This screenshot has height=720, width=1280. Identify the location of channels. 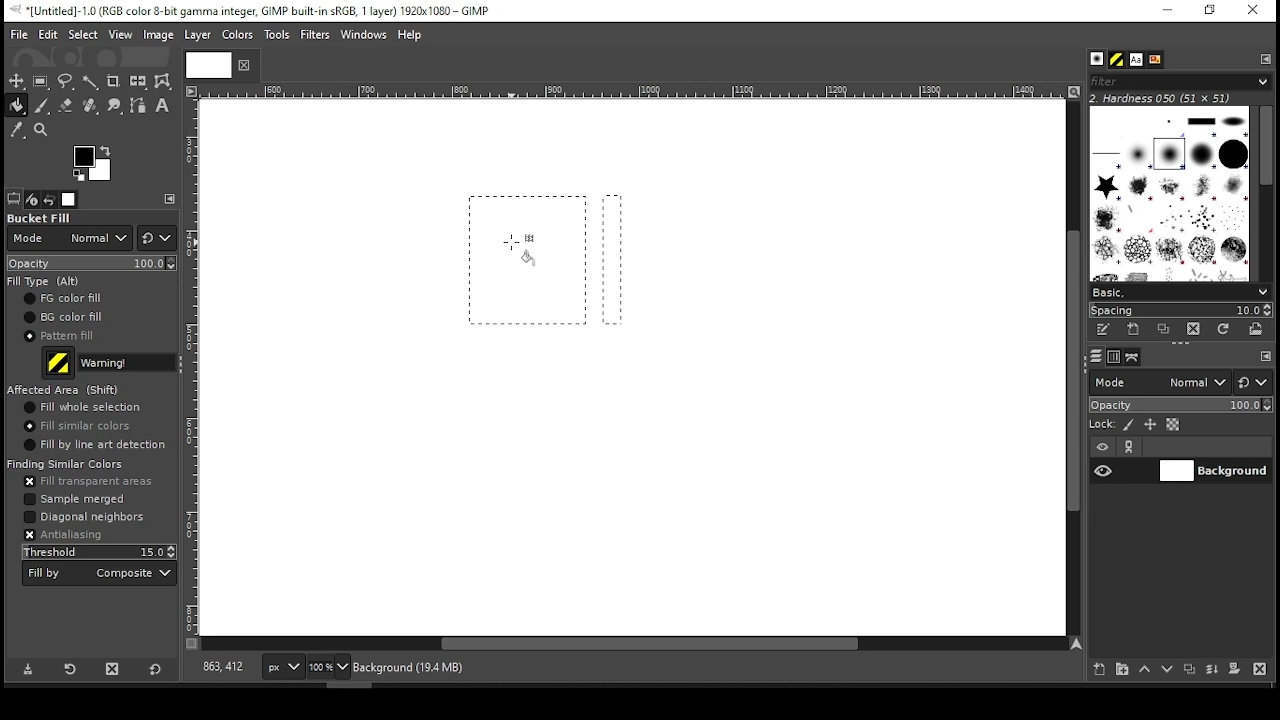
(1113, 357).